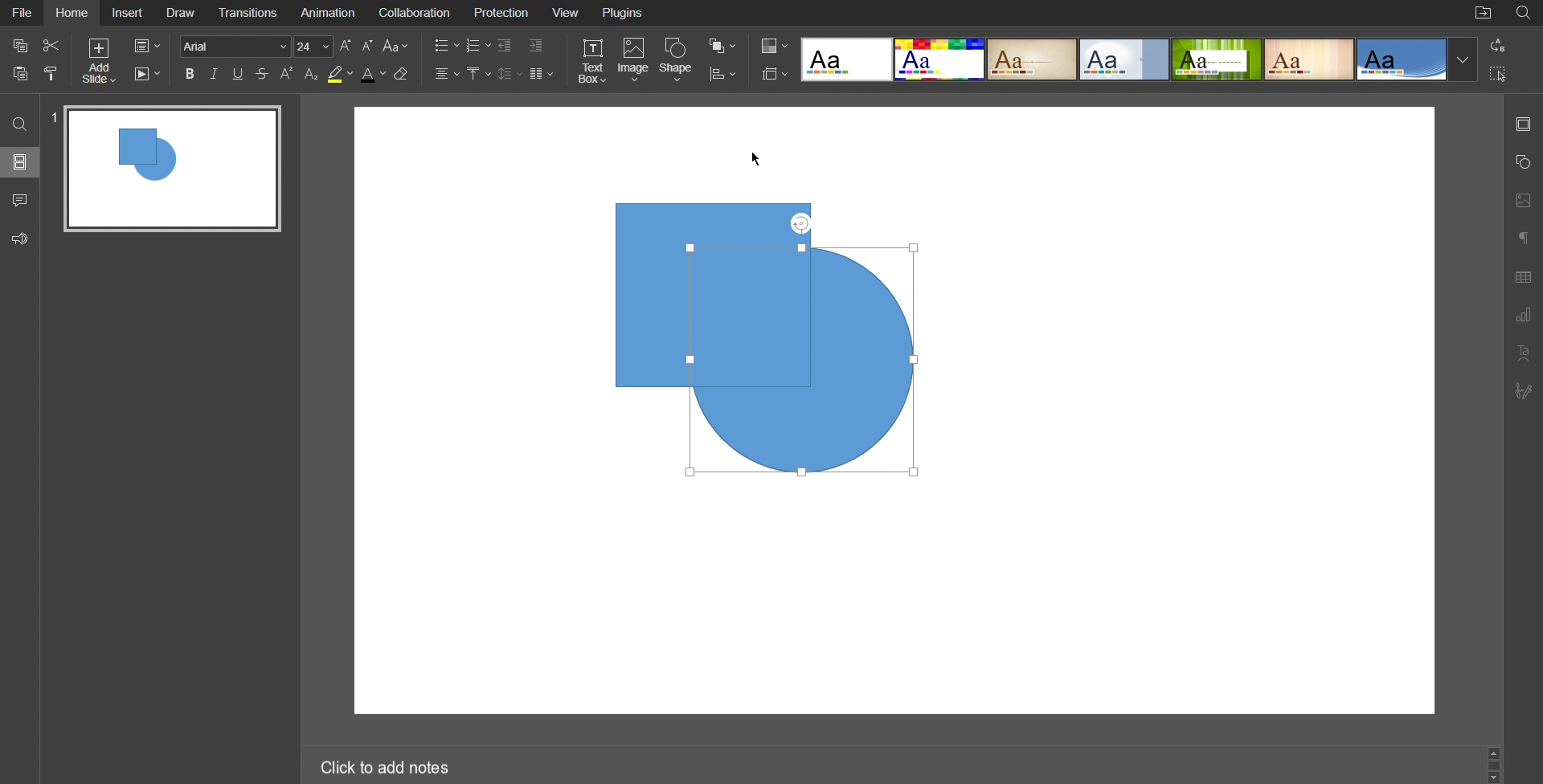 This screenshot has height=784, width=1543. What do you see at coordinates (1403, 59) in the screenshot?
I see `Office` at bounding box center [1403, 59].